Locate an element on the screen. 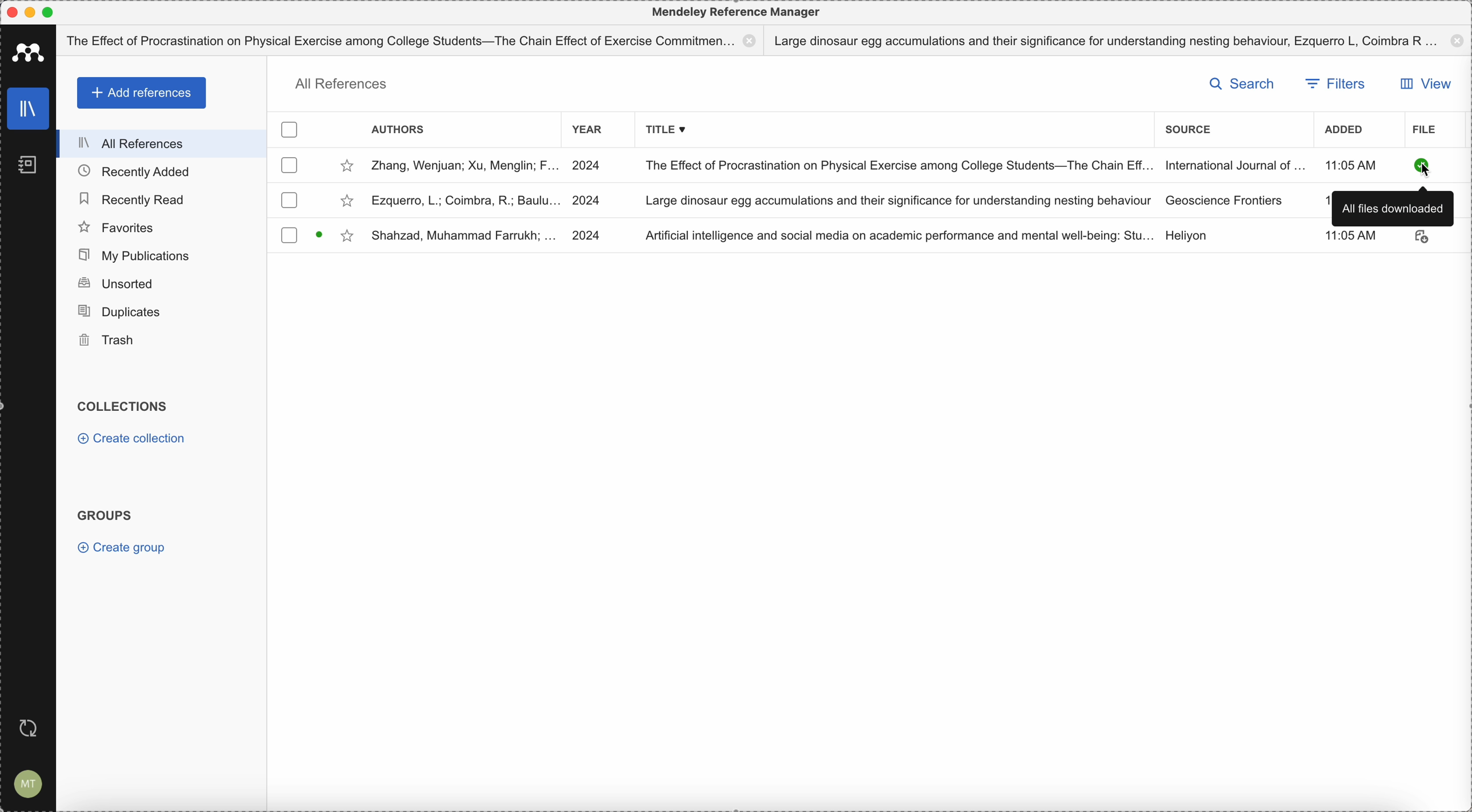  The effect of procastination on physical exercise among college students - The Chain effect of exercise is located at coordinates (410, 41).